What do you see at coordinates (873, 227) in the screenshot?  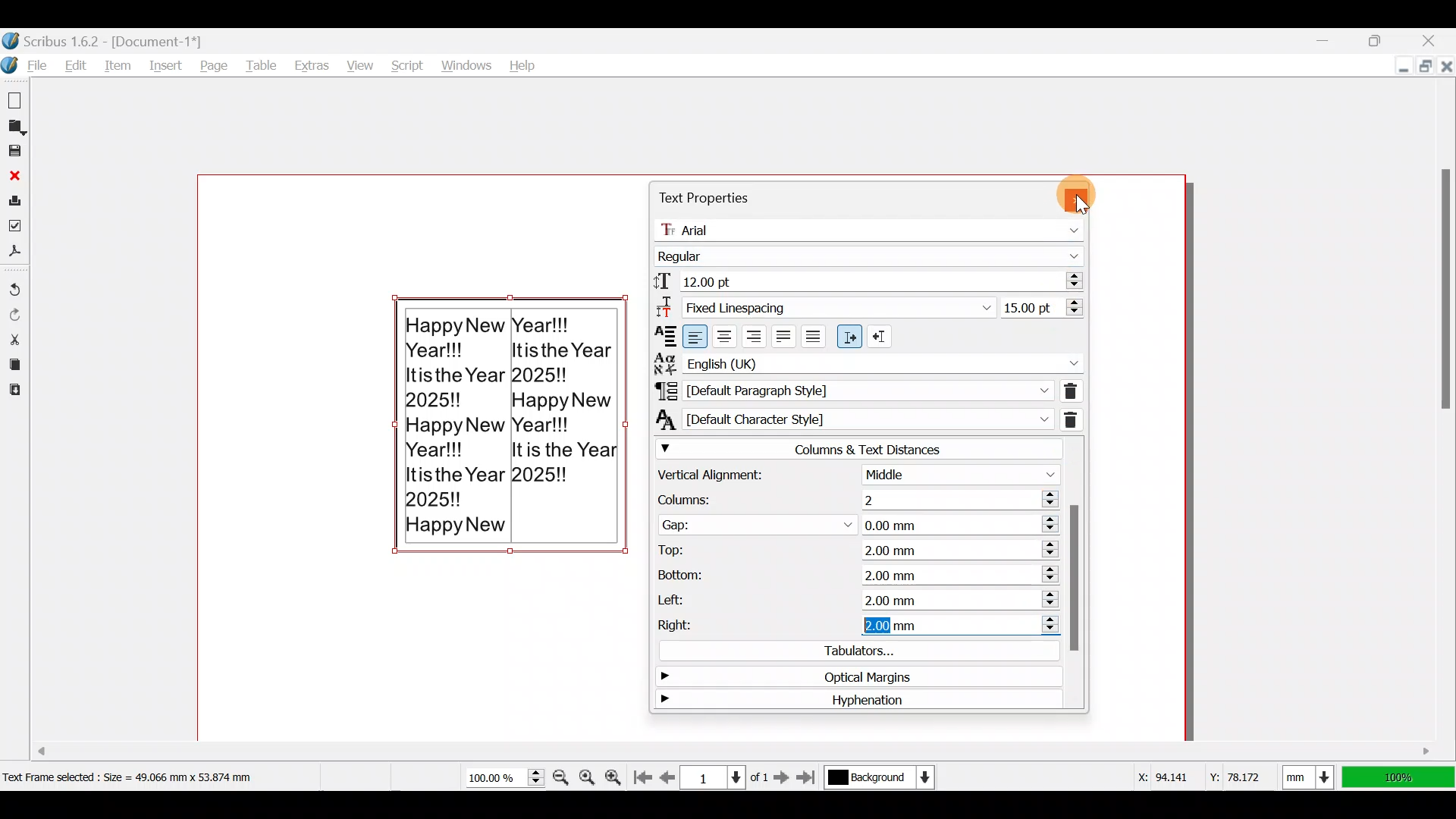 I see `Font name` at bounding box center [873, 227].